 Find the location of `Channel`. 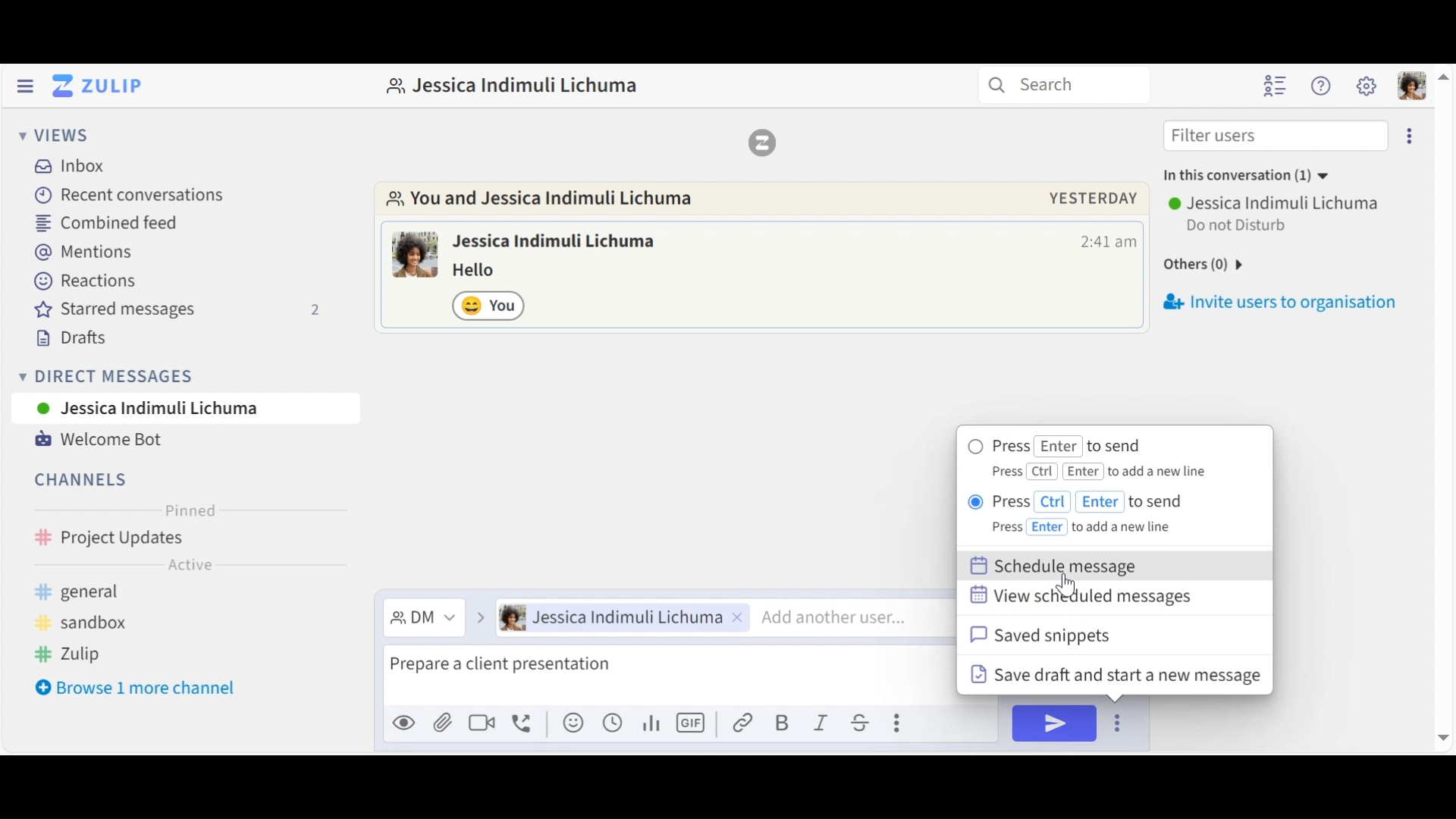

Channel is located at coordinates (83, 479).